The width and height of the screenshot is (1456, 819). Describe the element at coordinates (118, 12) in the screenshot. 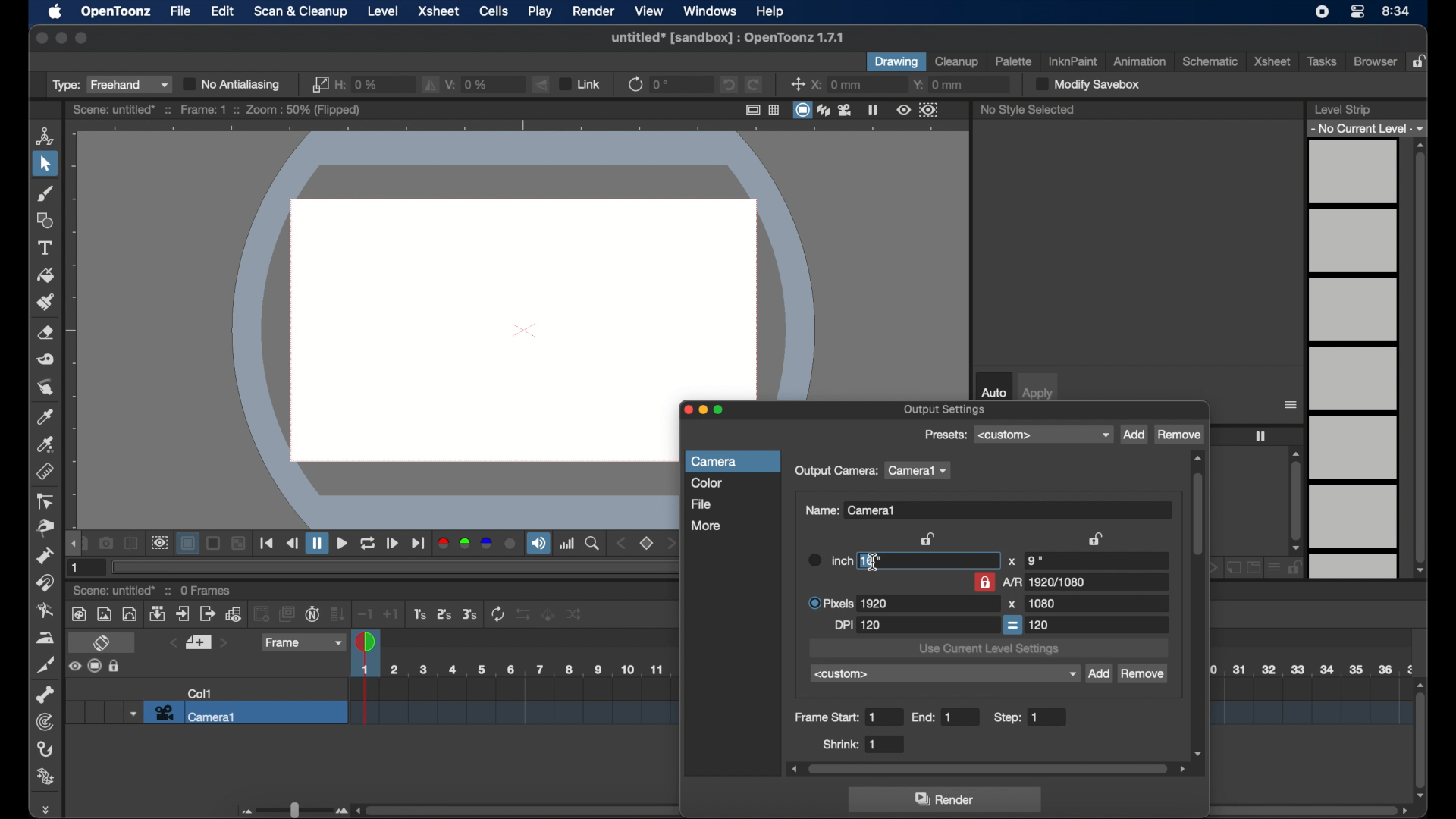

I see `opentoonz` at that location.